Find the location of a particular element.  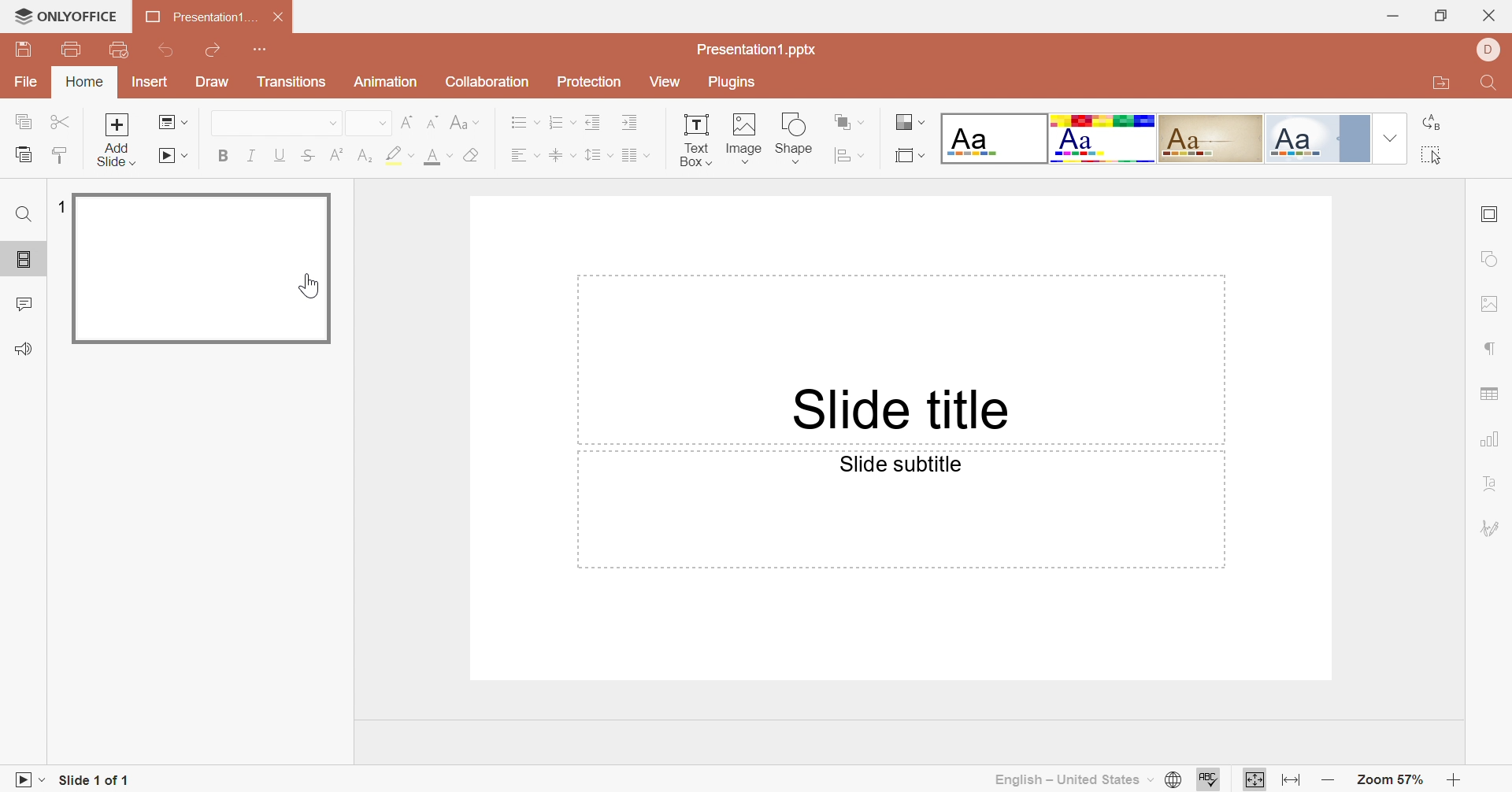

Home is located at coordinates (84, 81).